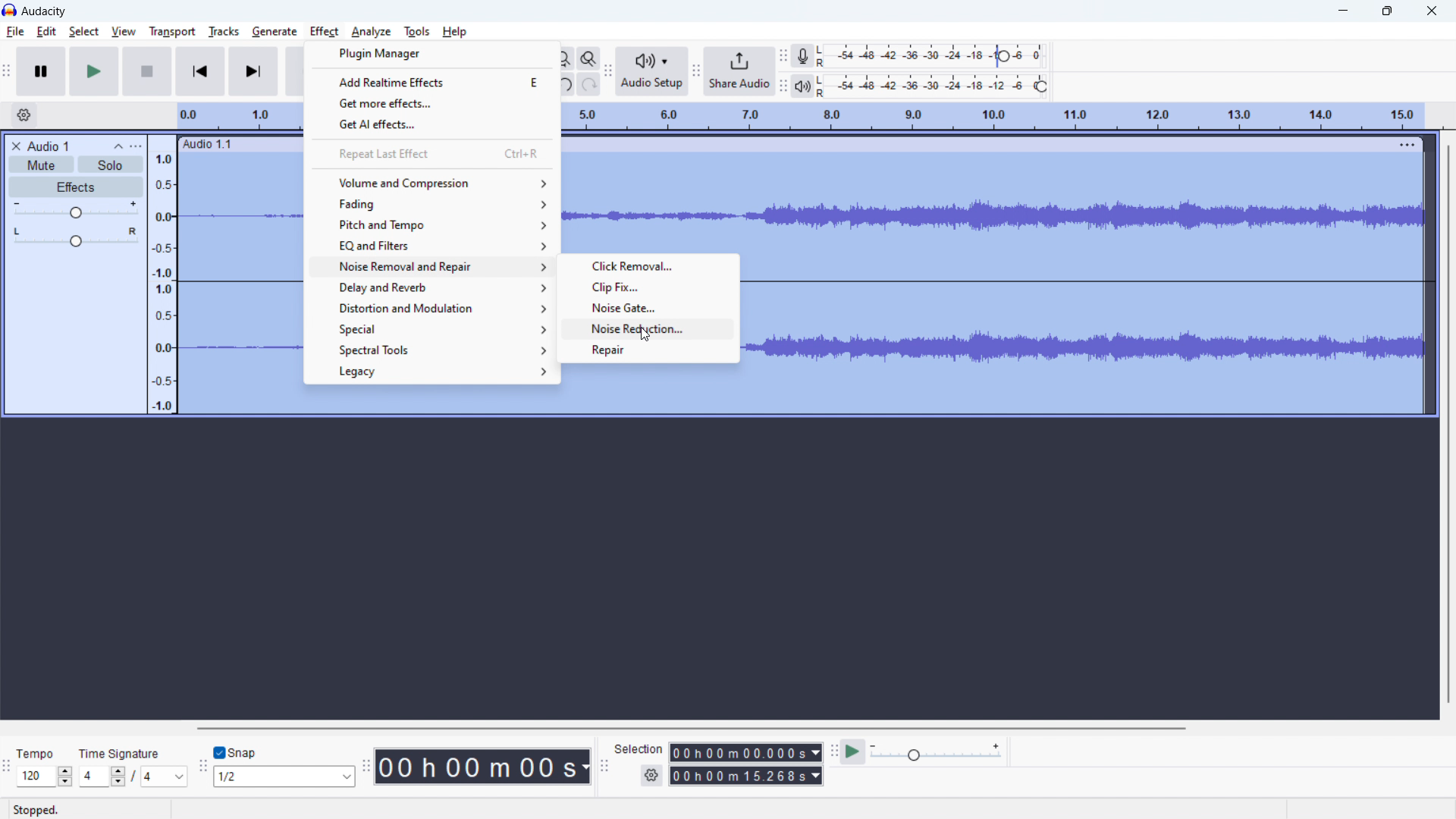 The width and height of the screenshot is (1456, 819). I want to click on click removal, so click(648, 266).